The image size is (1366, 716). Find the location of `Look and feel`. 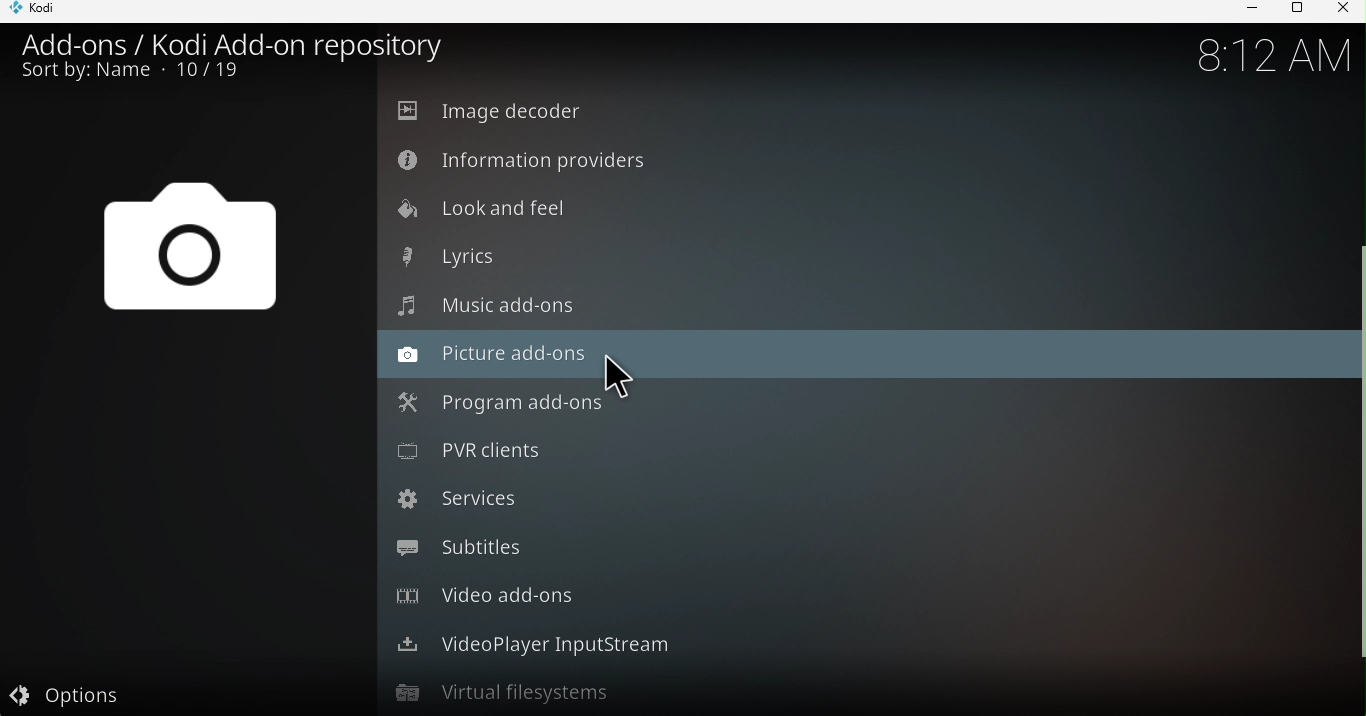

Look and feel is located at coordinates (864, 211).